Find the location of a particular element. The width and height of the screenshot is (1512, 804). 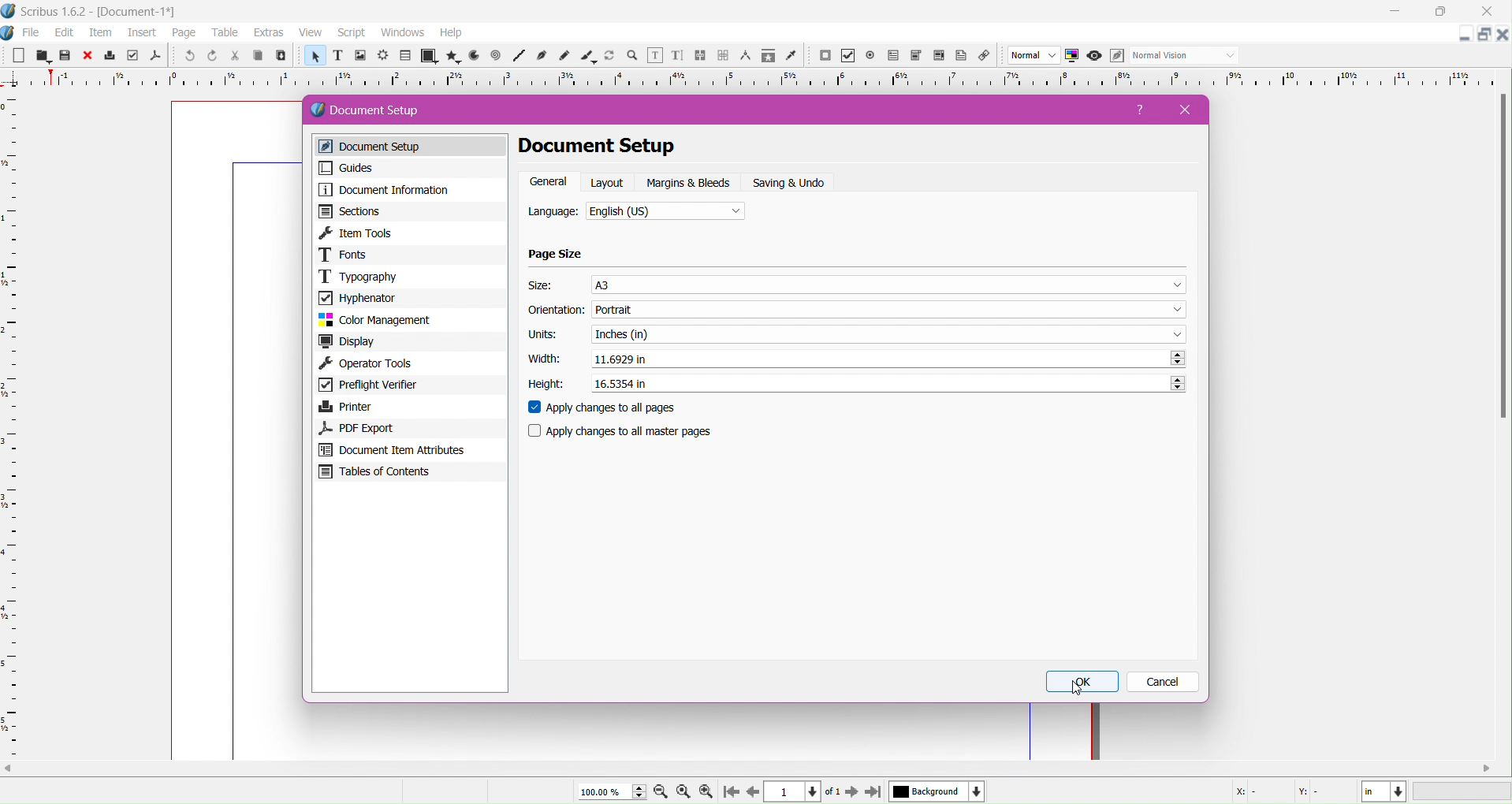

Orientation is located at coordinates (557, 311).